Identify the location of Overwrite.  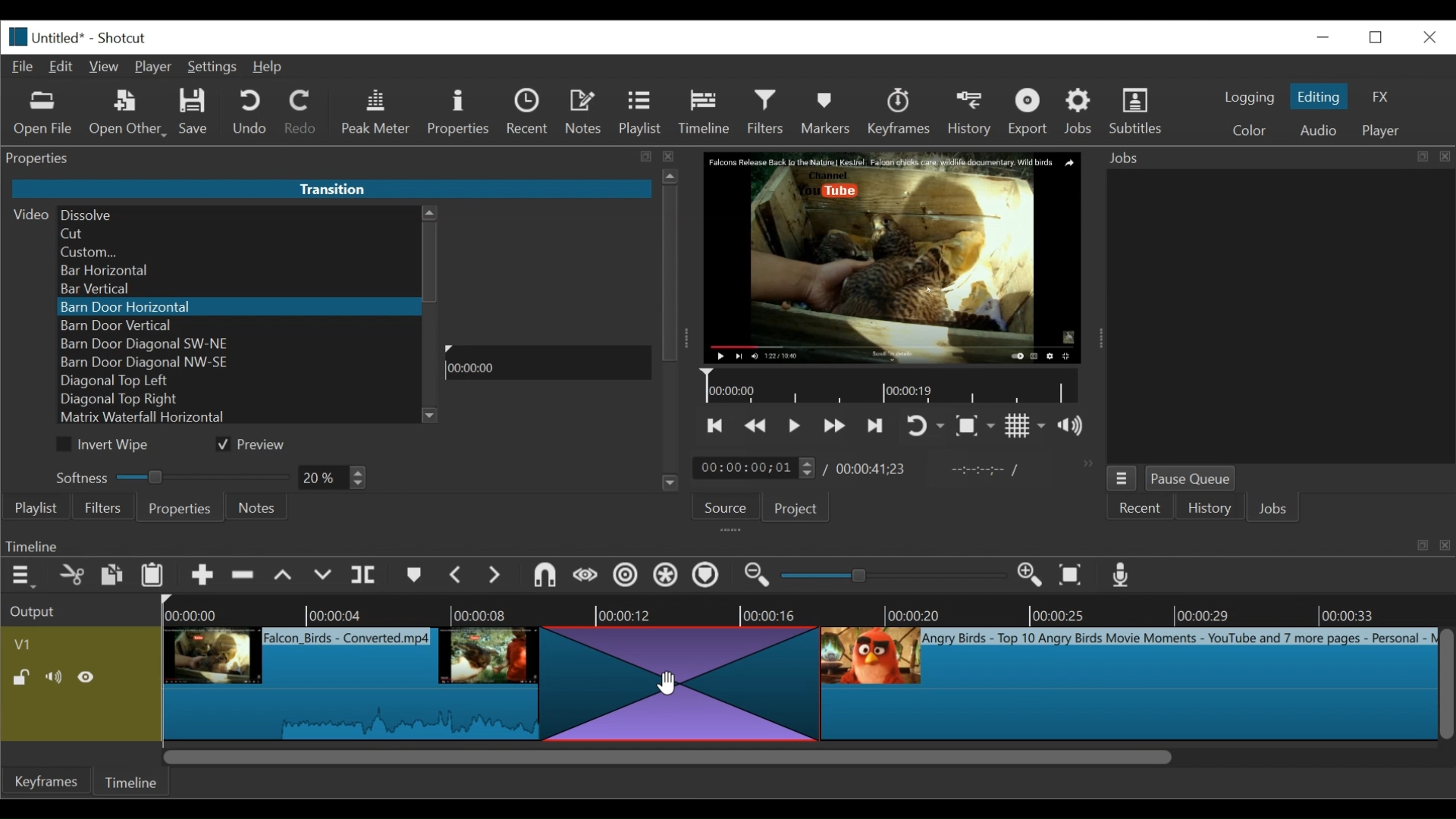
(322, 575).